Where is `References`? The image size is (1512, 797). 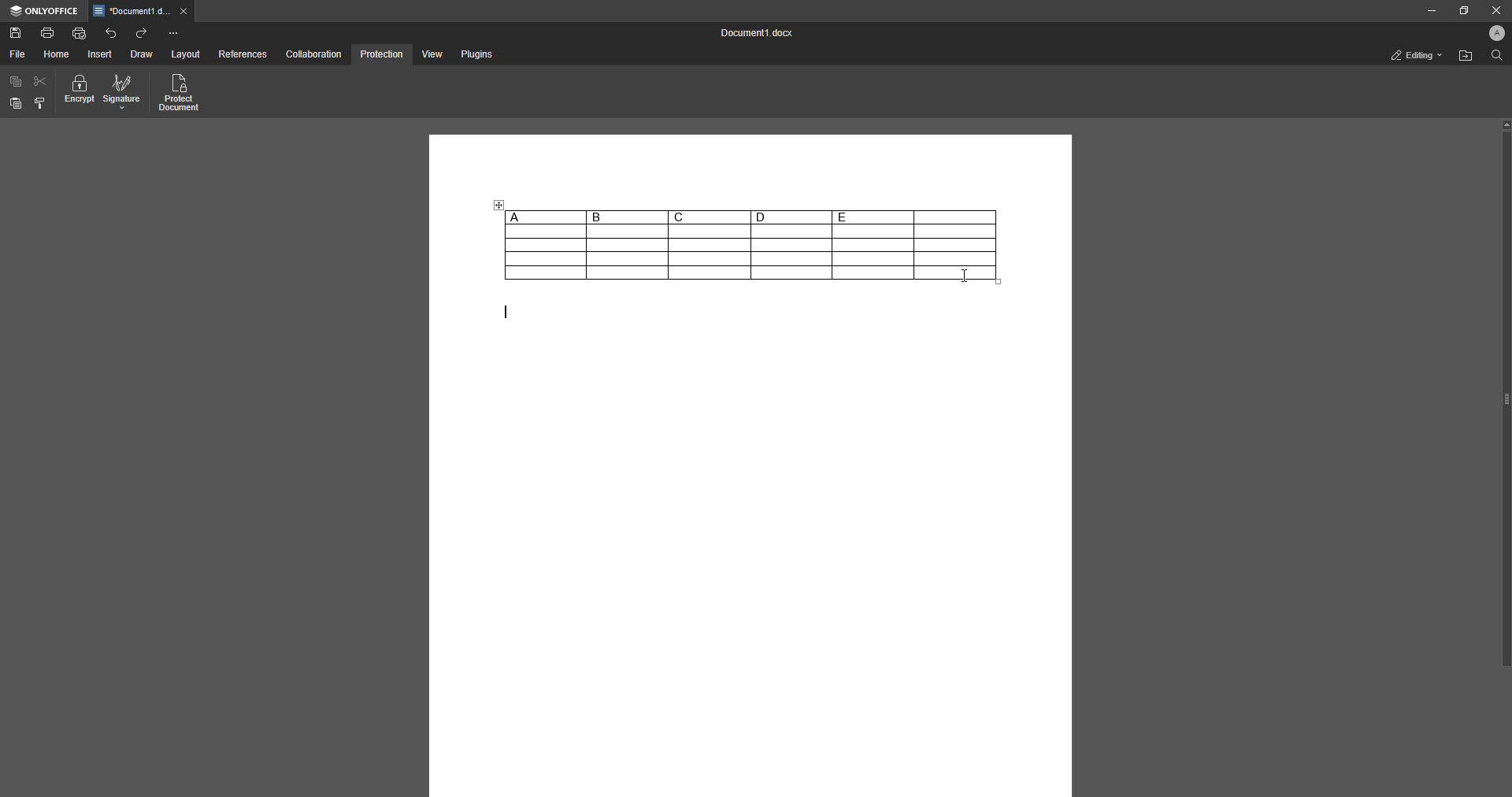
References is located at coordinates (242, 55).